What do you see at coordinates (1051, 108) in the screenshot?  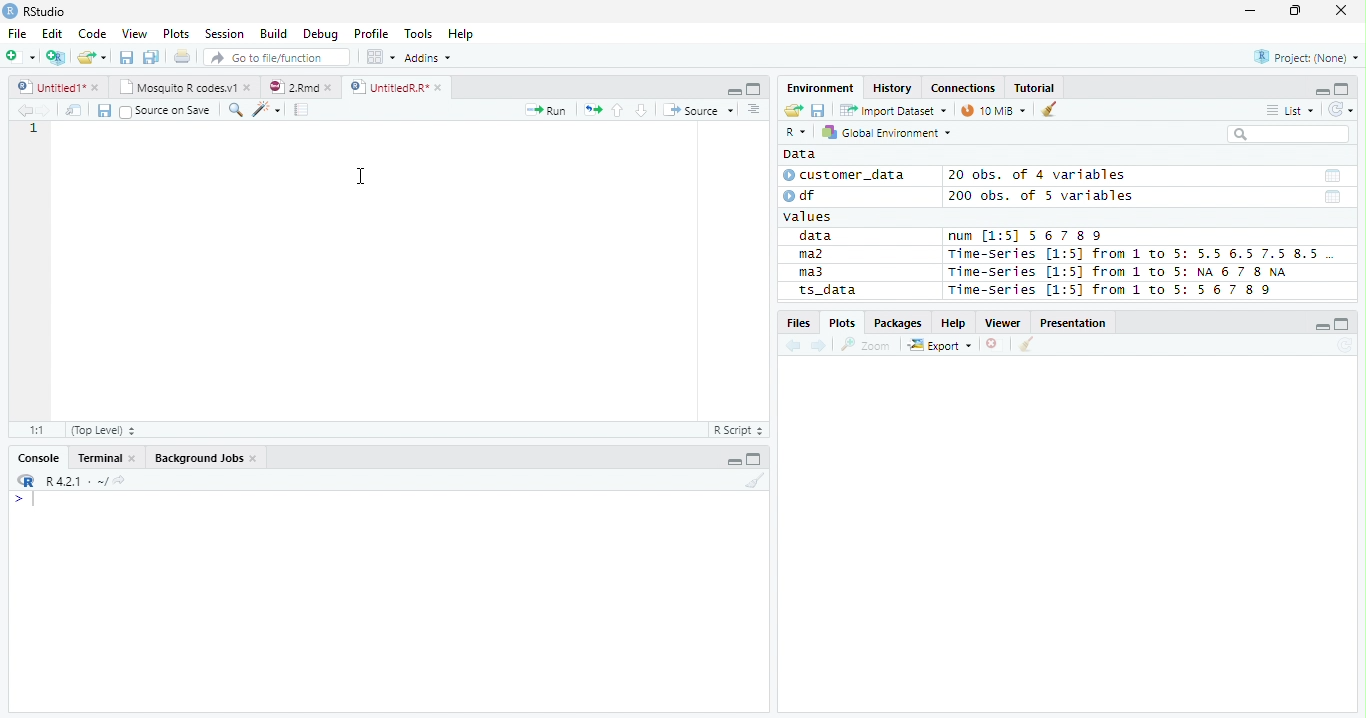 I see `Clean` at bounding box center [1051, 108].